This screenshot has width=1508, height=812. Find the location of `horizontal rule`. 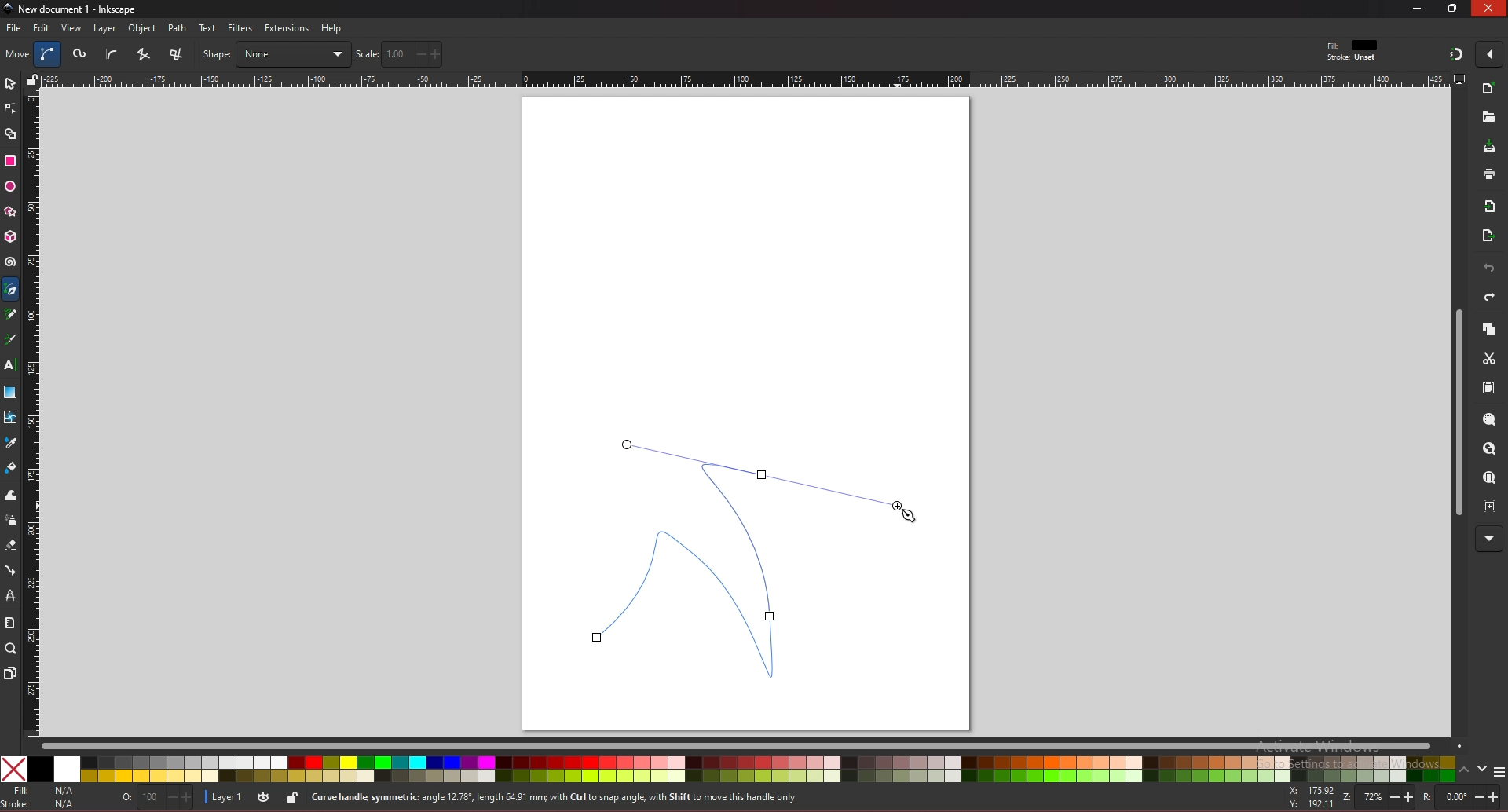

horizontal rule is located at coordinates (745, 79).